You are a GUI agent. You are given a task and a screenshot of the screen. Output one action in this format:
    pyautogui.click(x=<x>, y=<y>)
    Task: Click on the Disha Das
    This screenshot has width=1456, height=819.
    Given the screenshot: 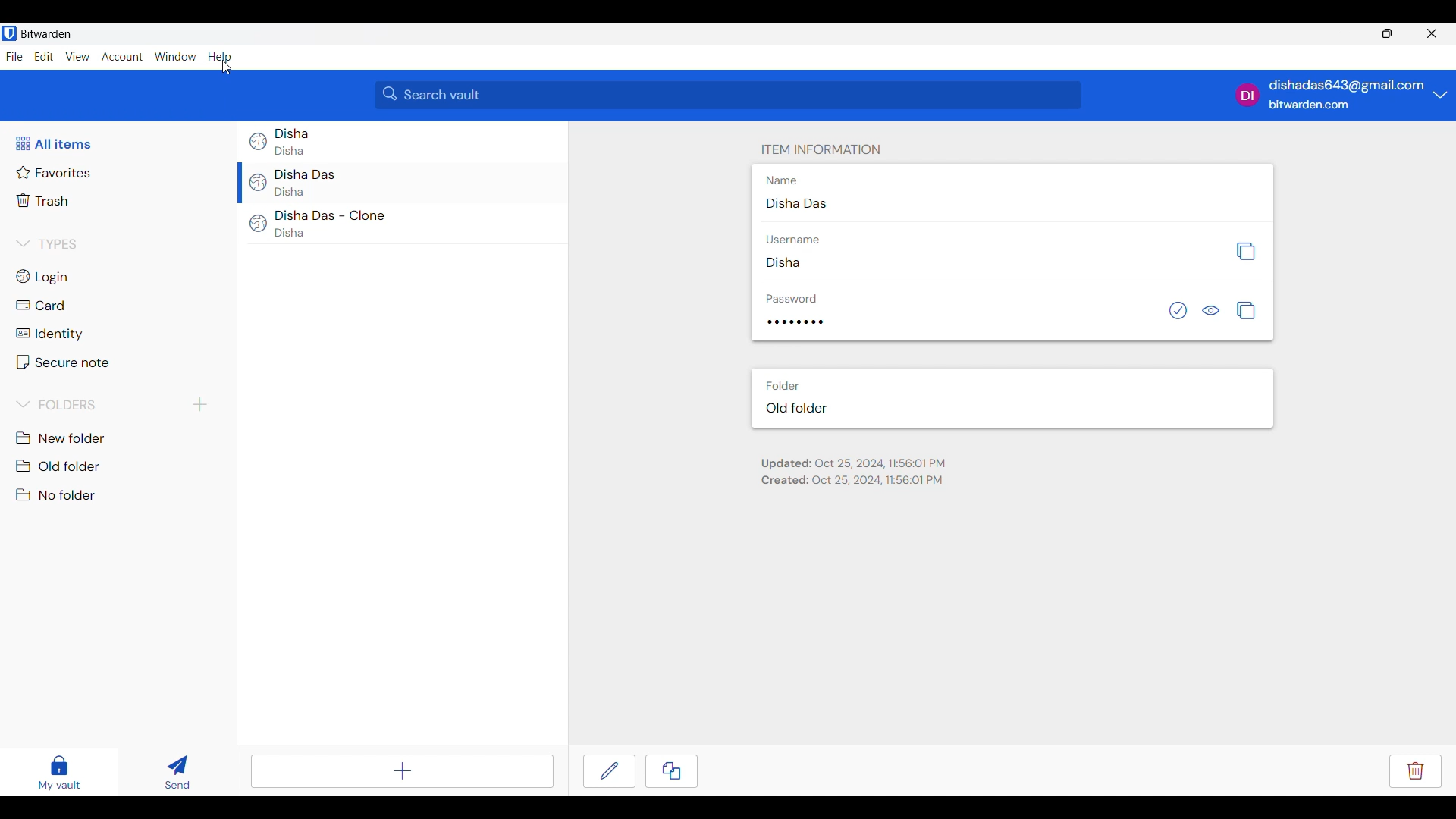 What is the action you would take?
    pyautogui.click(x=796, y=202)
    